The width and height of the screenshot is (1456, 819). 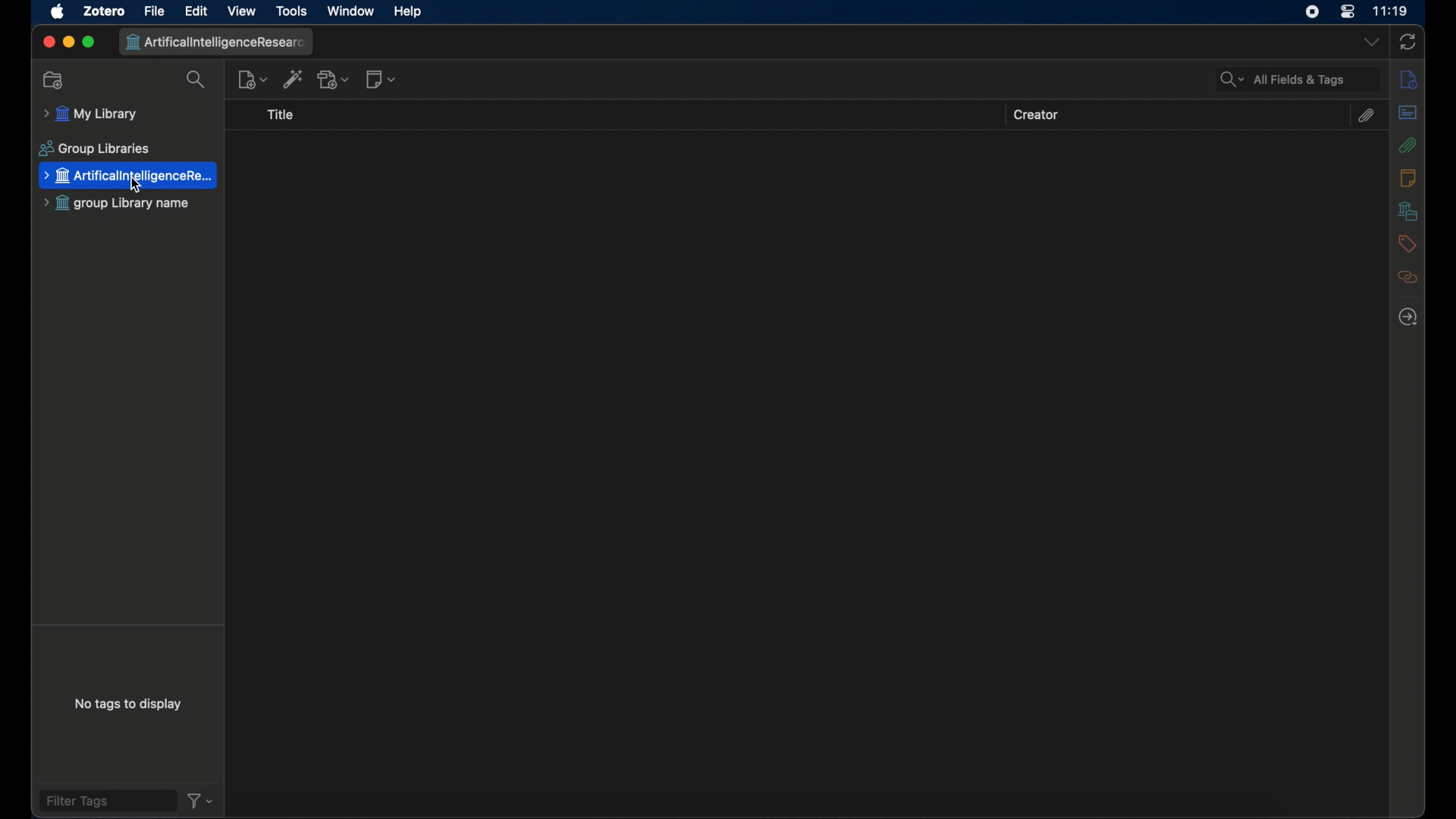 What do you see at coordinates (243, 11) in the screenshot?
I see `view` at bounding box center [243, 11].